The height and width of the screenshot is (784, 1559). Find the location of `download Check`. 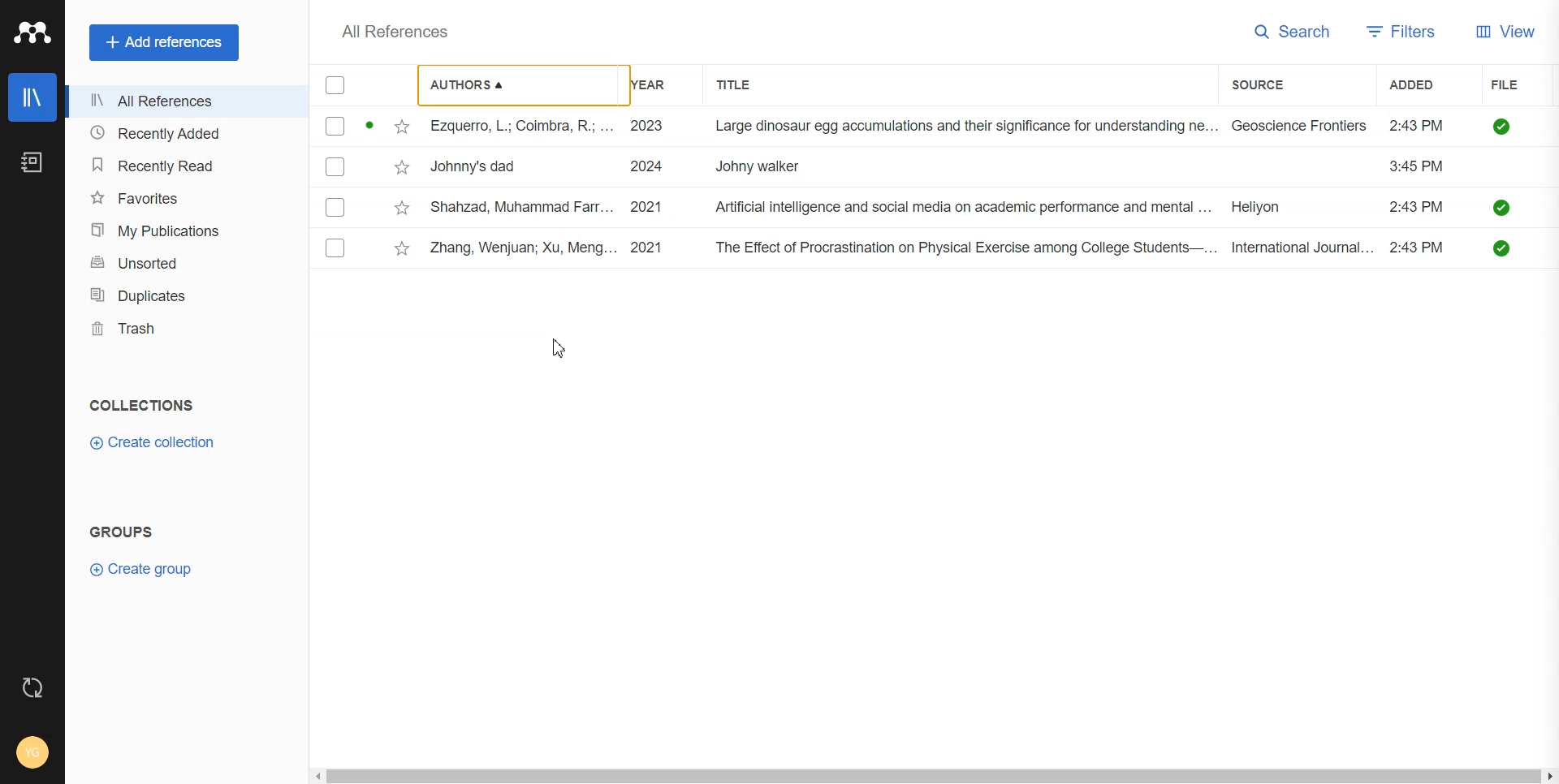

download Check is located at coordinates (1502, 207).